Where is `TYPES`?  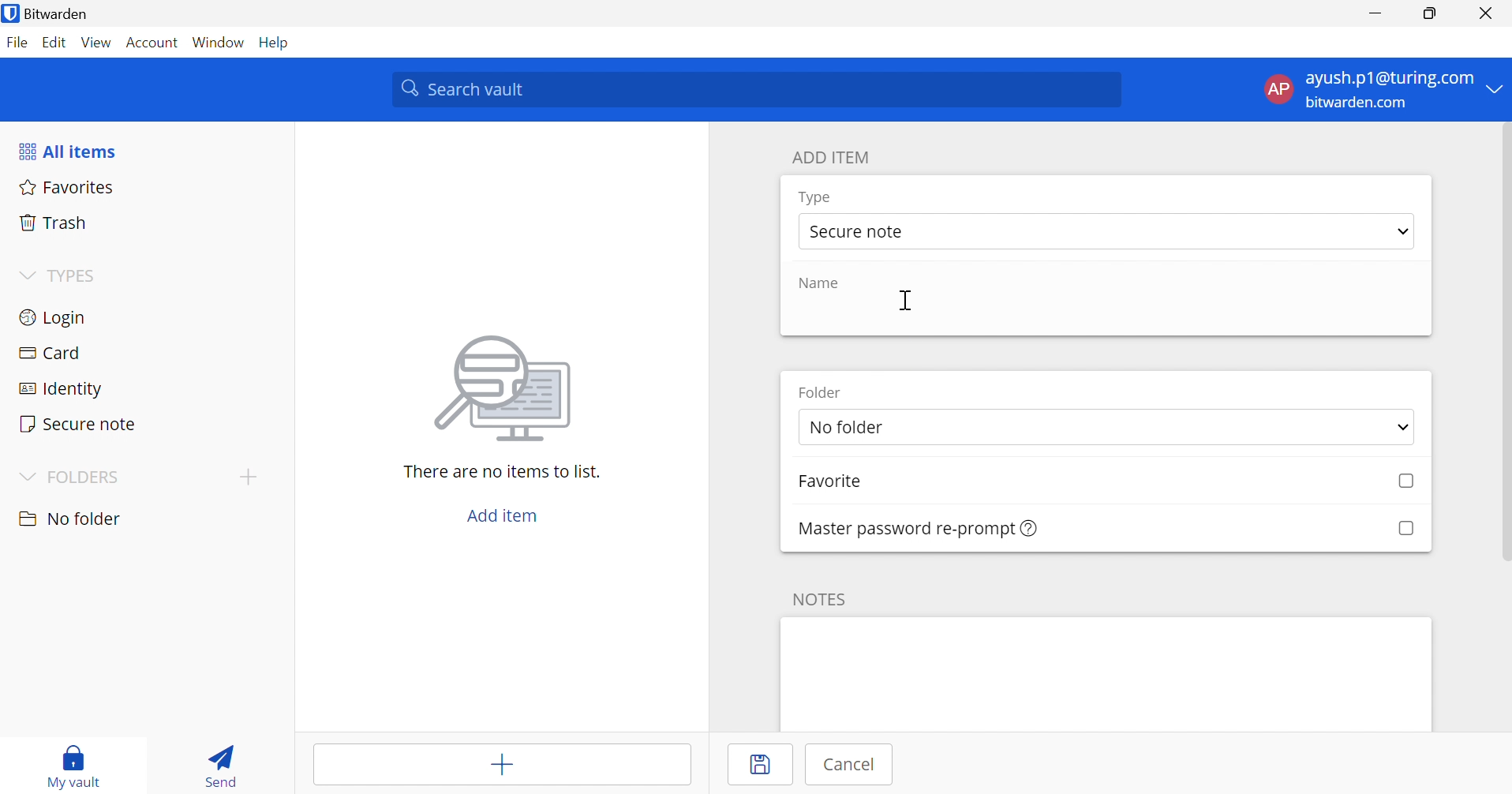 TYPES is located at coordinates (76, 277).